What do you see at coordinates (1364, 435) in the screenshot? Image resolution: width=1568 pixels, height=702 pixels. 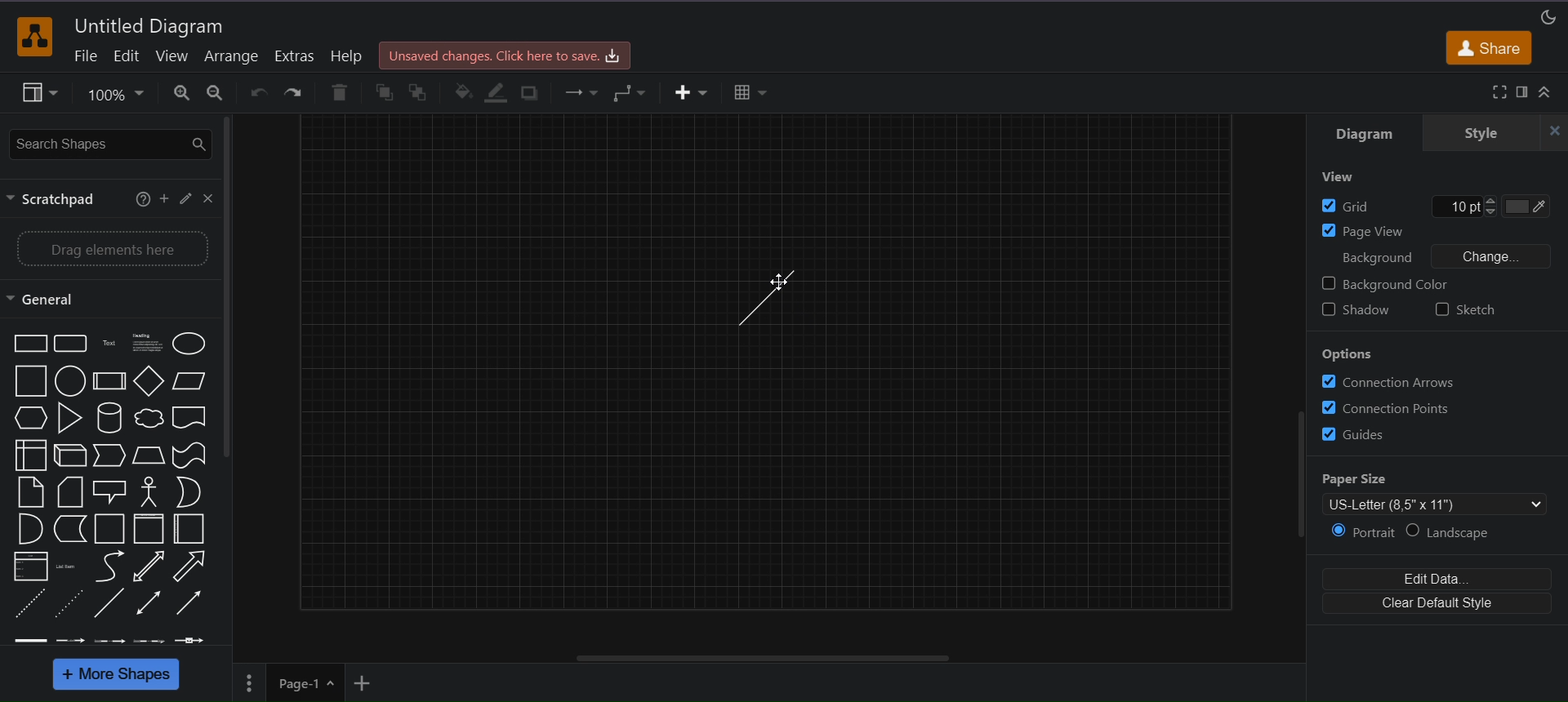 I see `guides` at bounding box center [1364, 435].